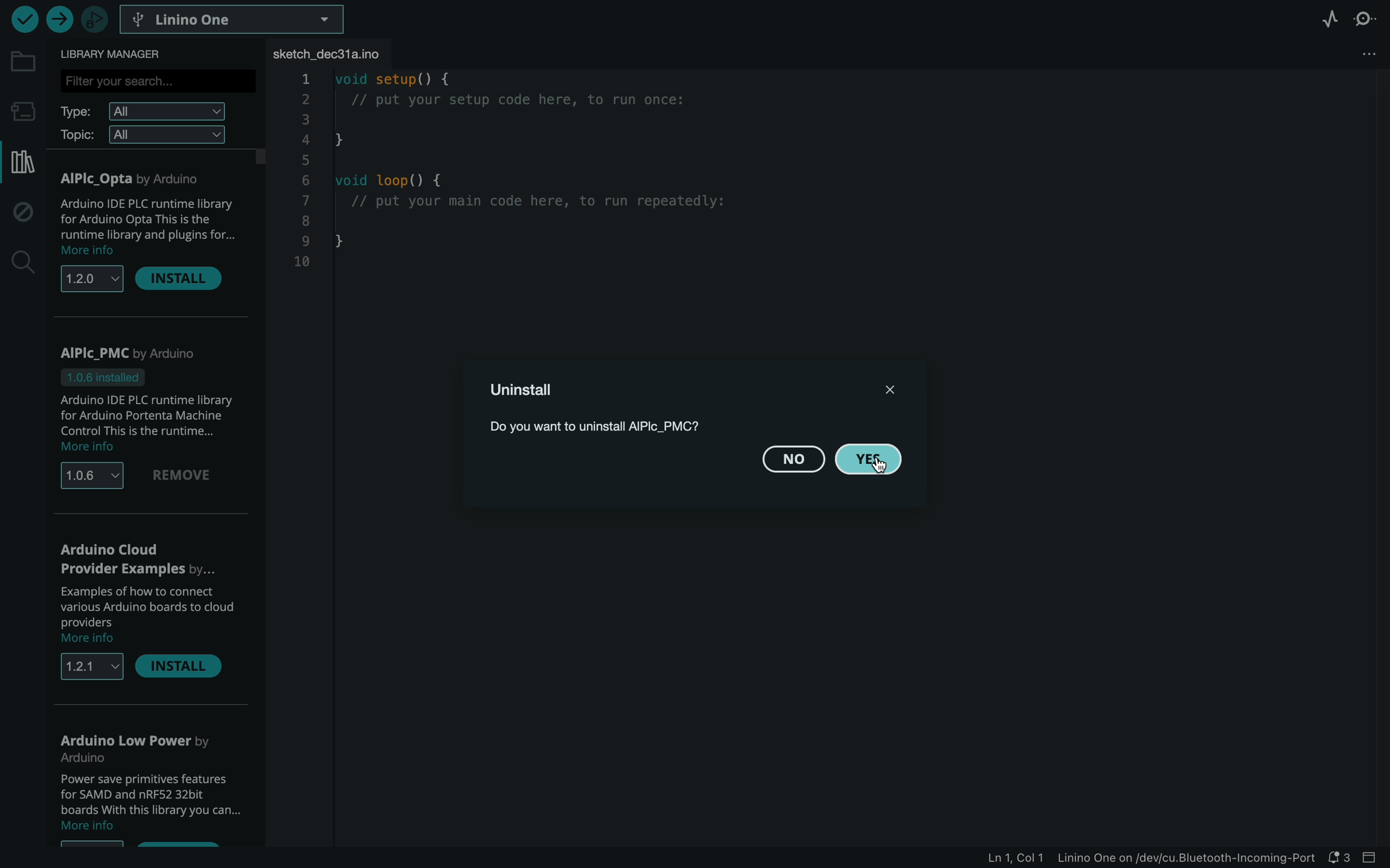 This screenshot has width=1390, height=868. I want to click on description, so click(676, 427).